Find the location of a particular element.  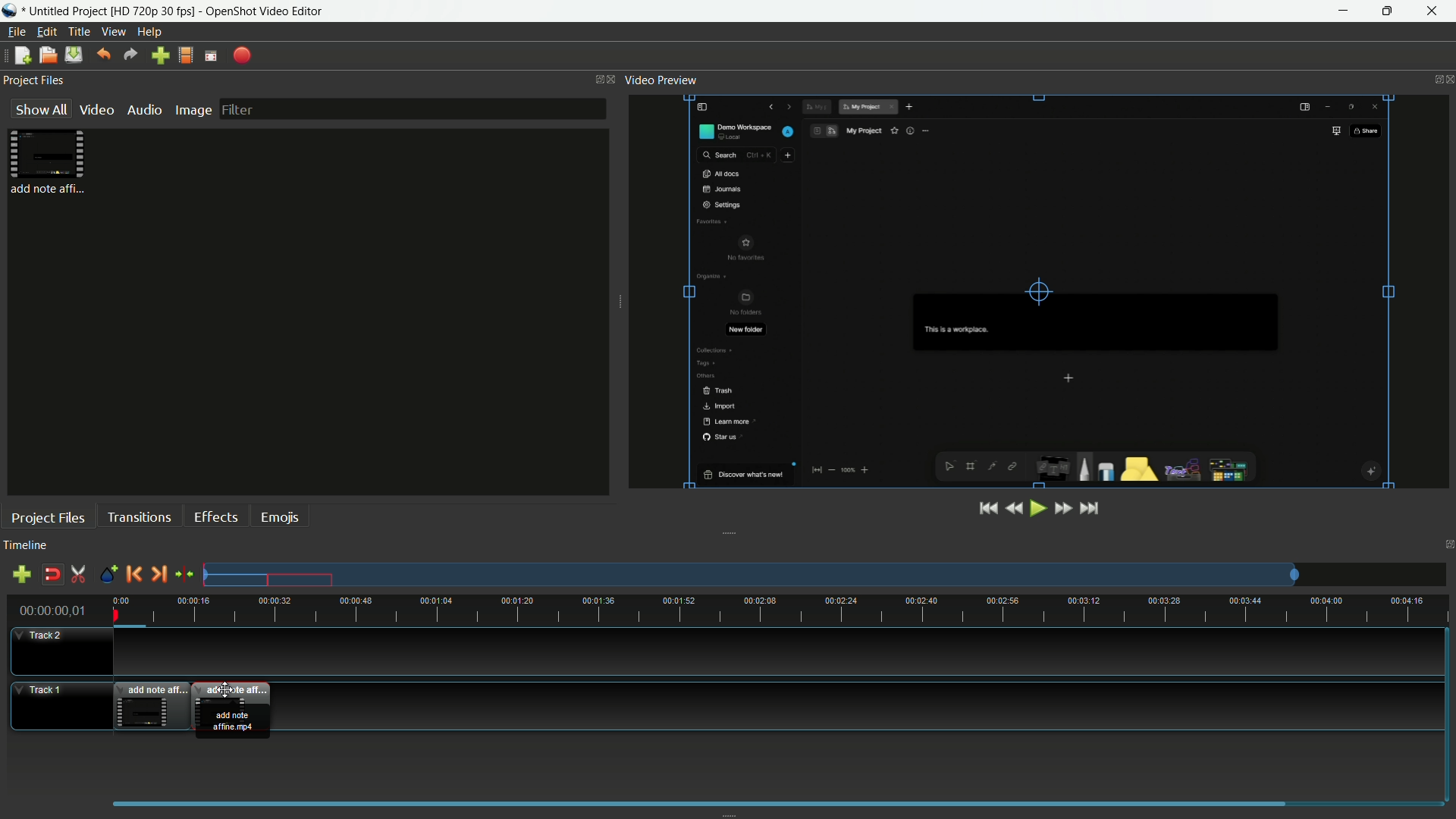

title menu is located at coordinates (79, 31).